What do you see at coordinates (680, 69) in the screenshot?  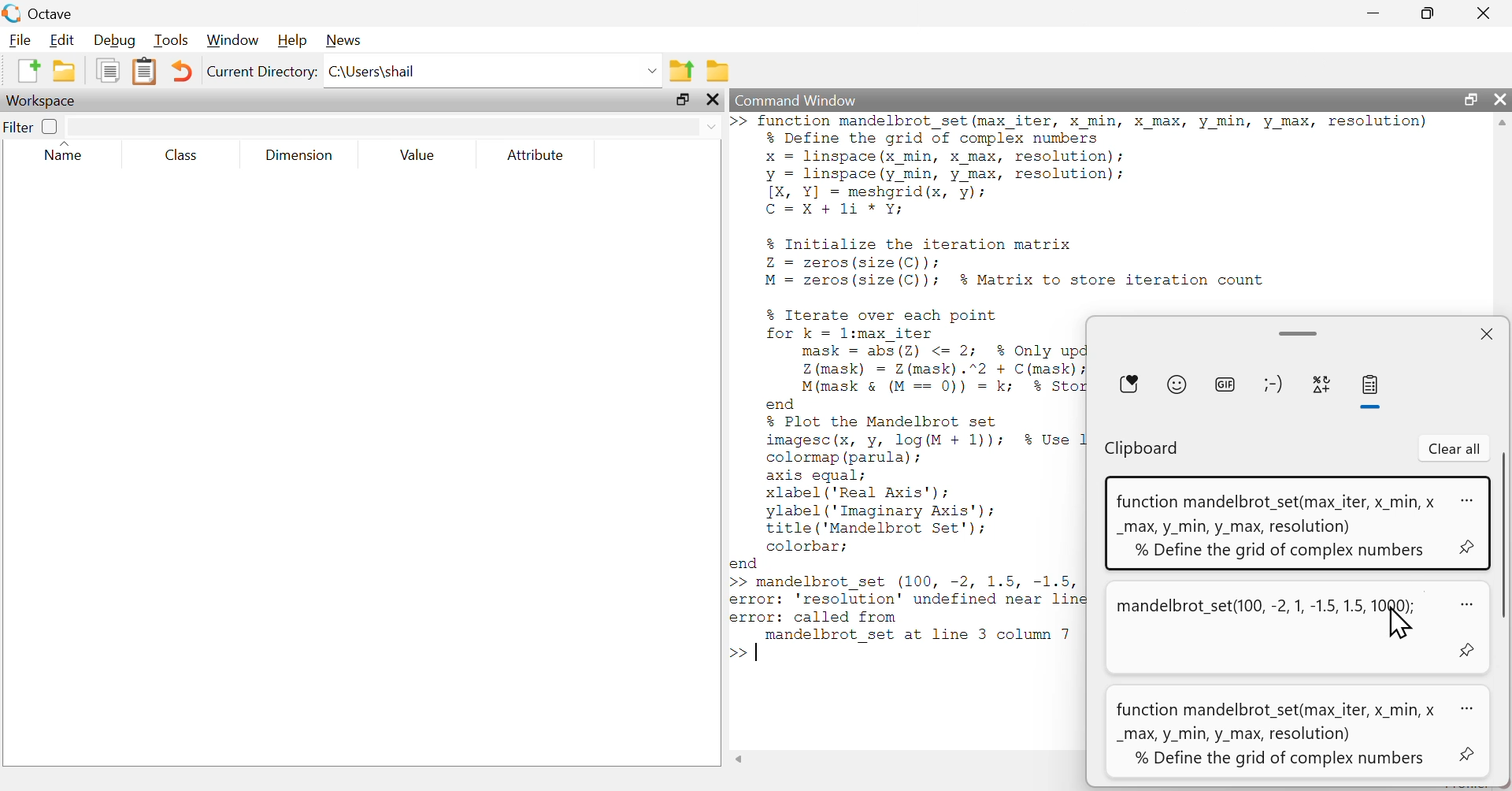 I see `one directory up` at bounding box center [680, 69].